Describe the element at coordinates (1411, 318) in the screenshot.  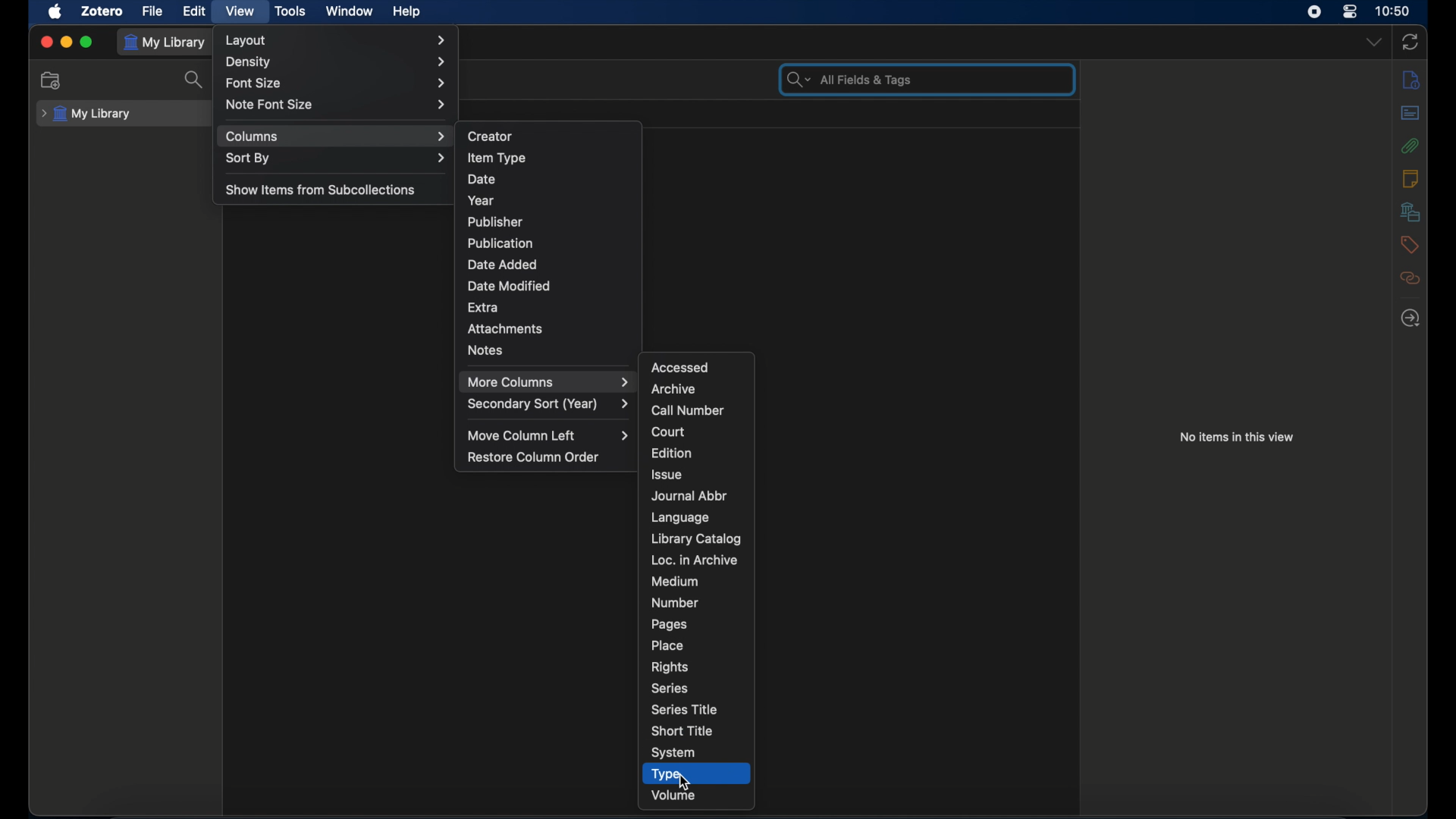
I see `locate` at that location.